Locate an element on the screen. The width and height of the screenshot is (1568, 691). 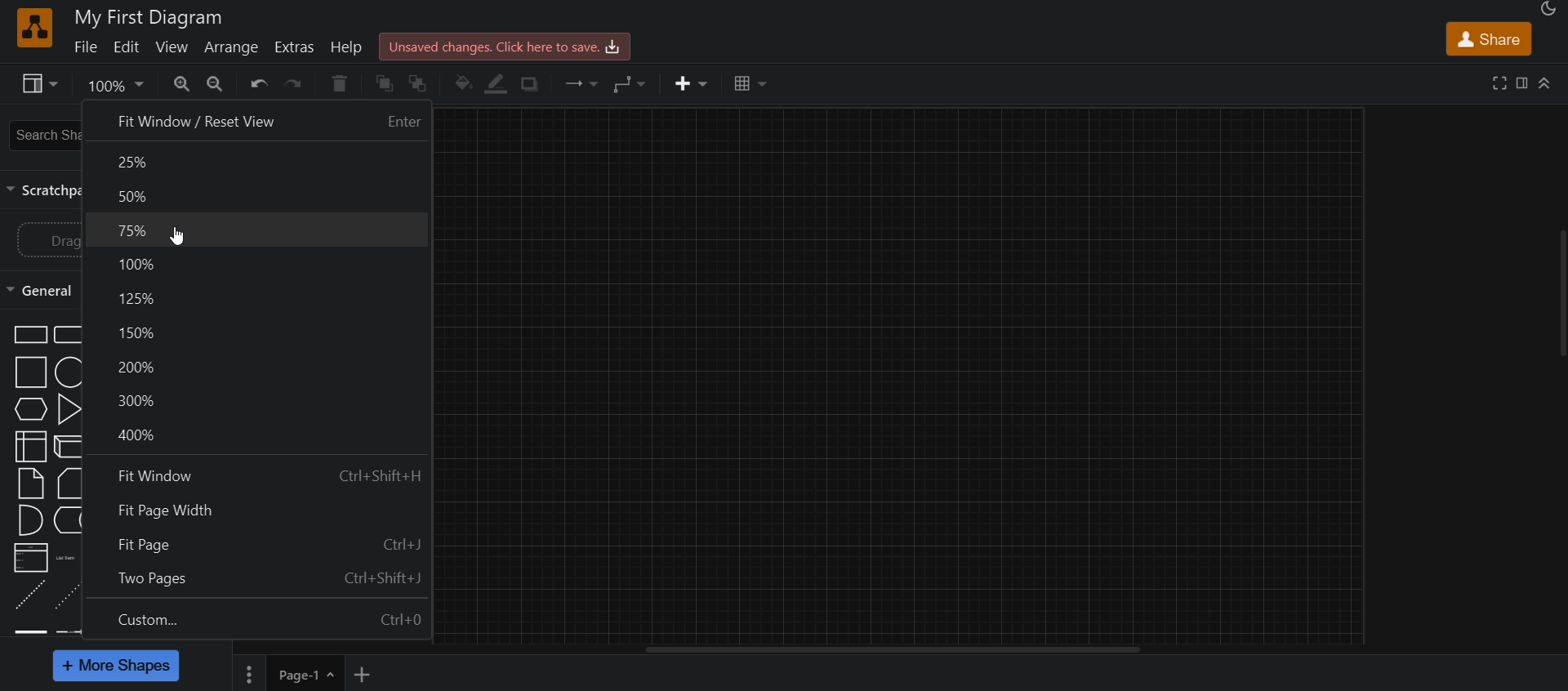
view is located at coordinates (174, 49).